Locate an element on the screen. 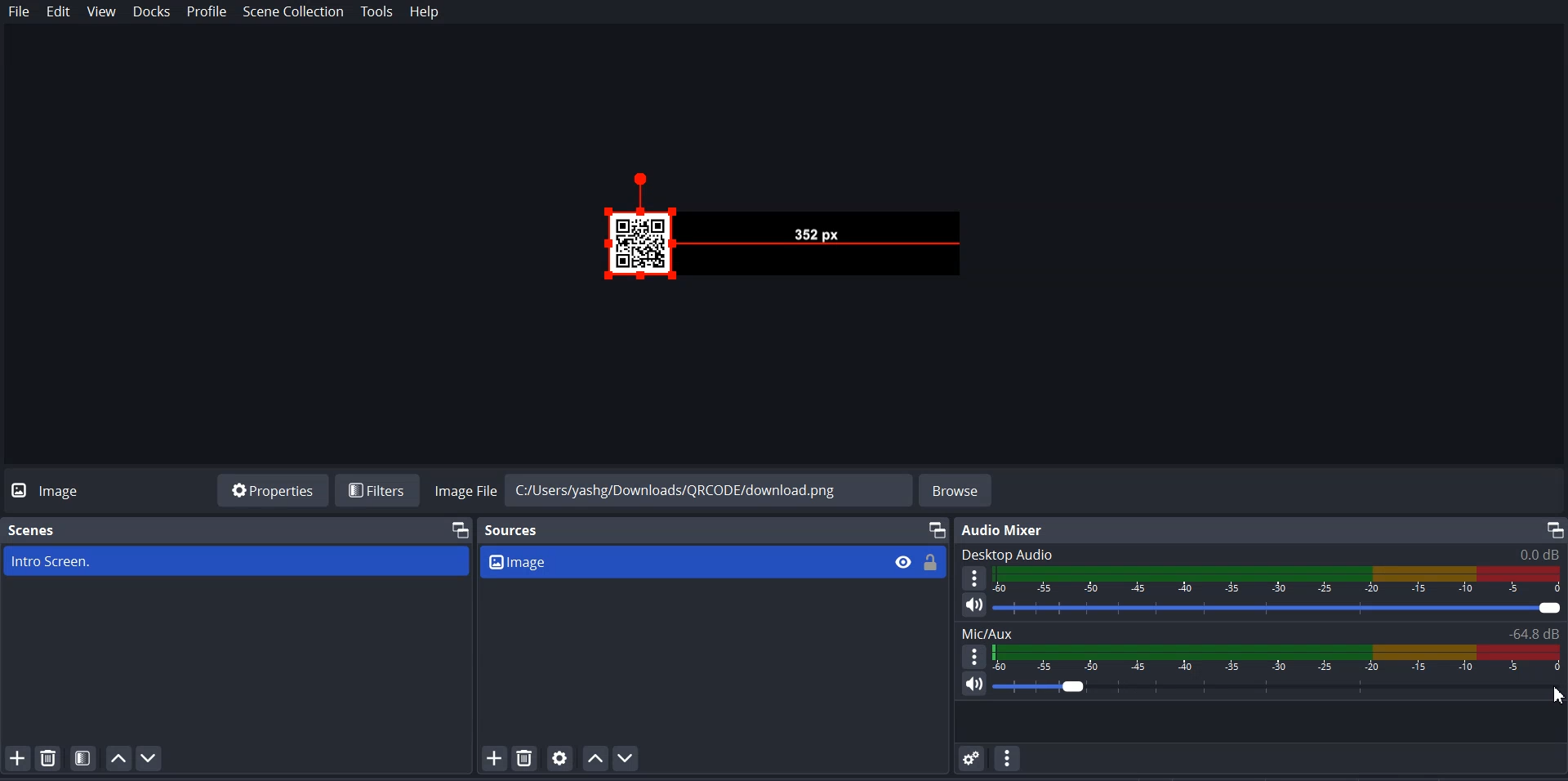 Image resolution: width=1568 pixels, height=781 pixels. Properties is located at coordinates (272, 489).